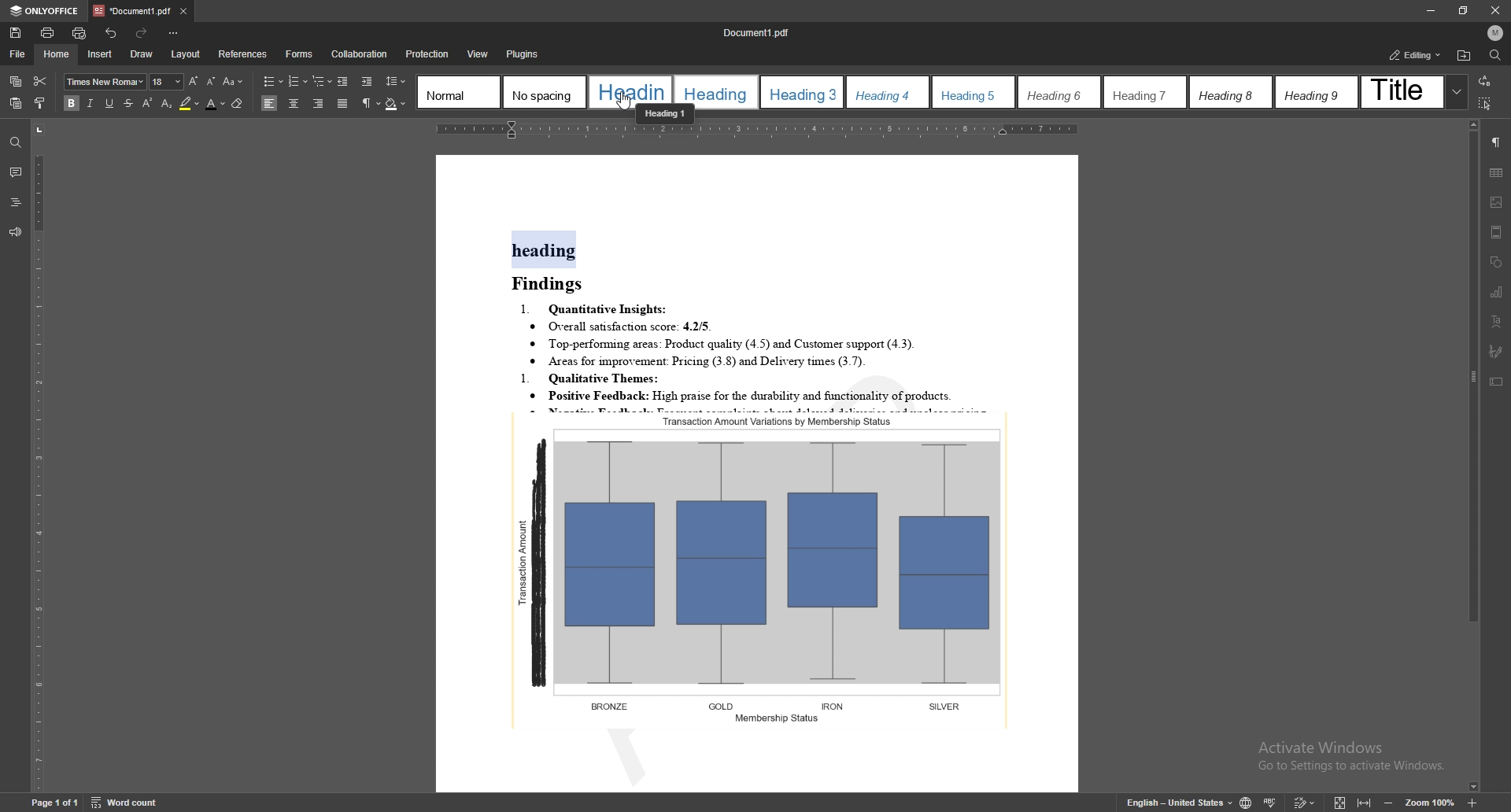  What do you see at coordinates (1472, 125) in the screenshot?
I see `scroll up` at bounding box center [1472, 125].